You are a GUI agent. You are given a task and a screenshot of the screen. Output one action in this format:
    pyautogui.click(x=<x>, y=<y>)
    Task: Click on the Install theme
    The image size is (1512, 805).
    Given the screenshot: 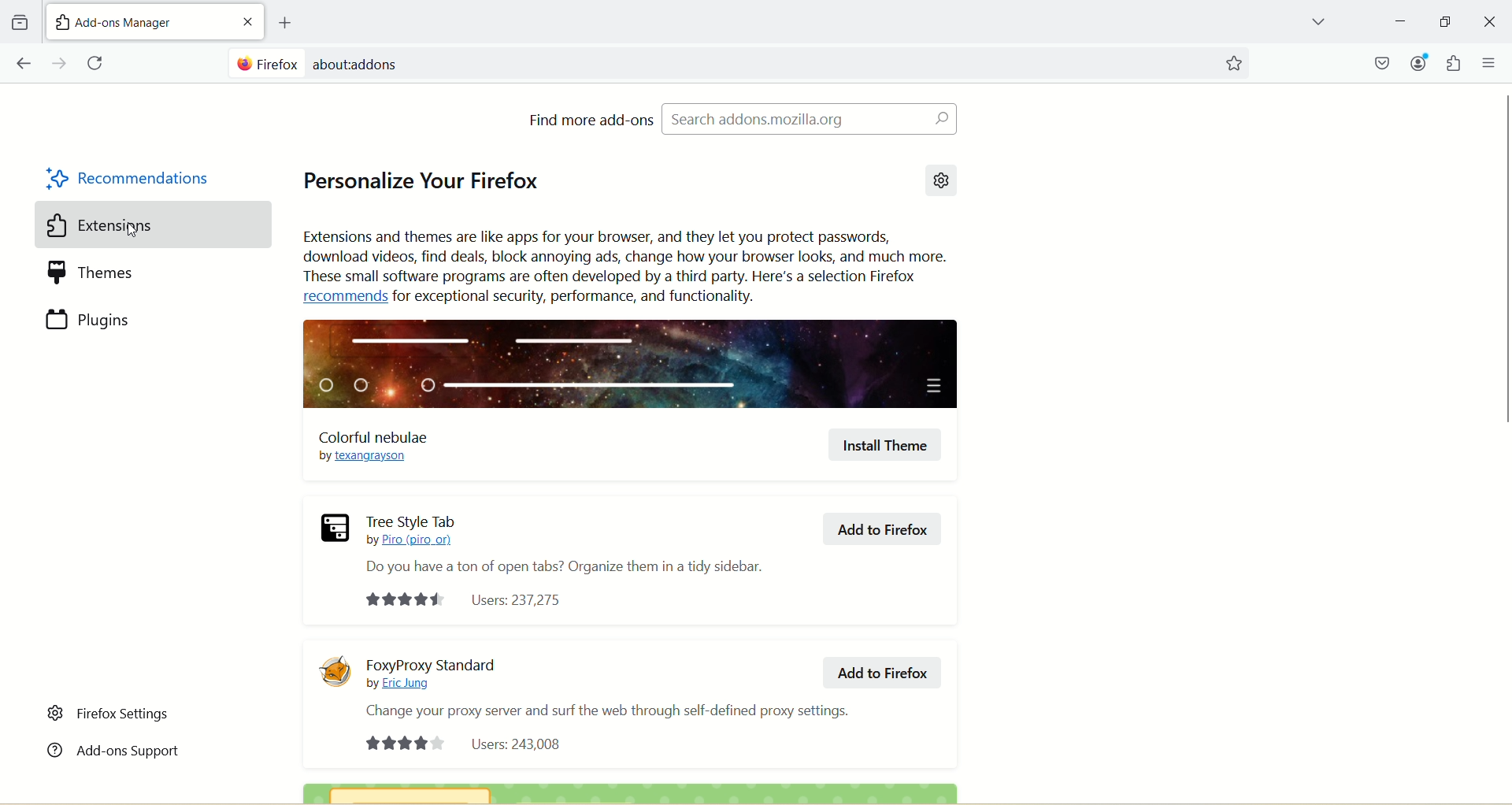 What is the action you would take?
    pyautogui.click(x=887, y=445)
    